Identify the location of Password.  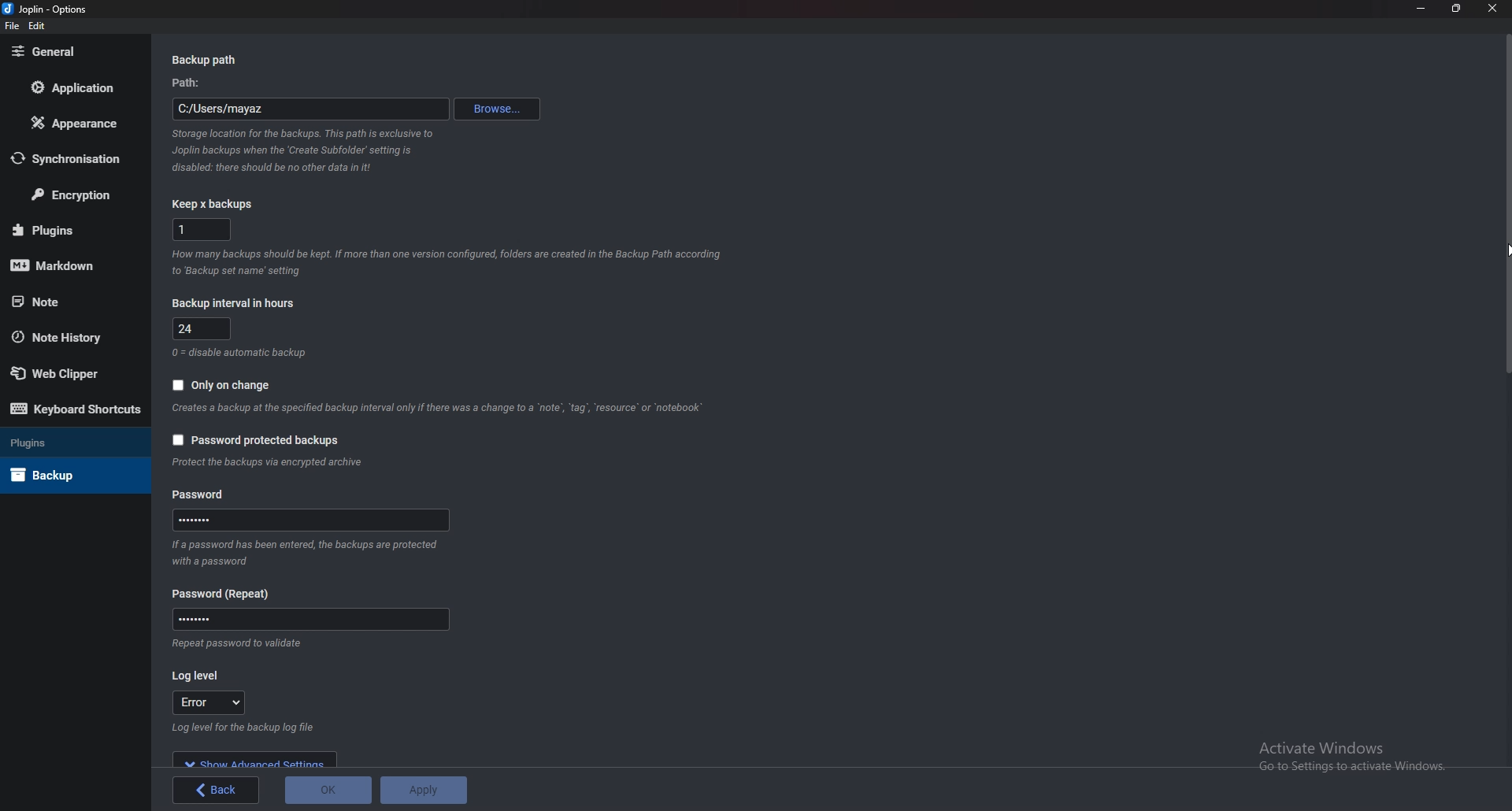
(309, 619).